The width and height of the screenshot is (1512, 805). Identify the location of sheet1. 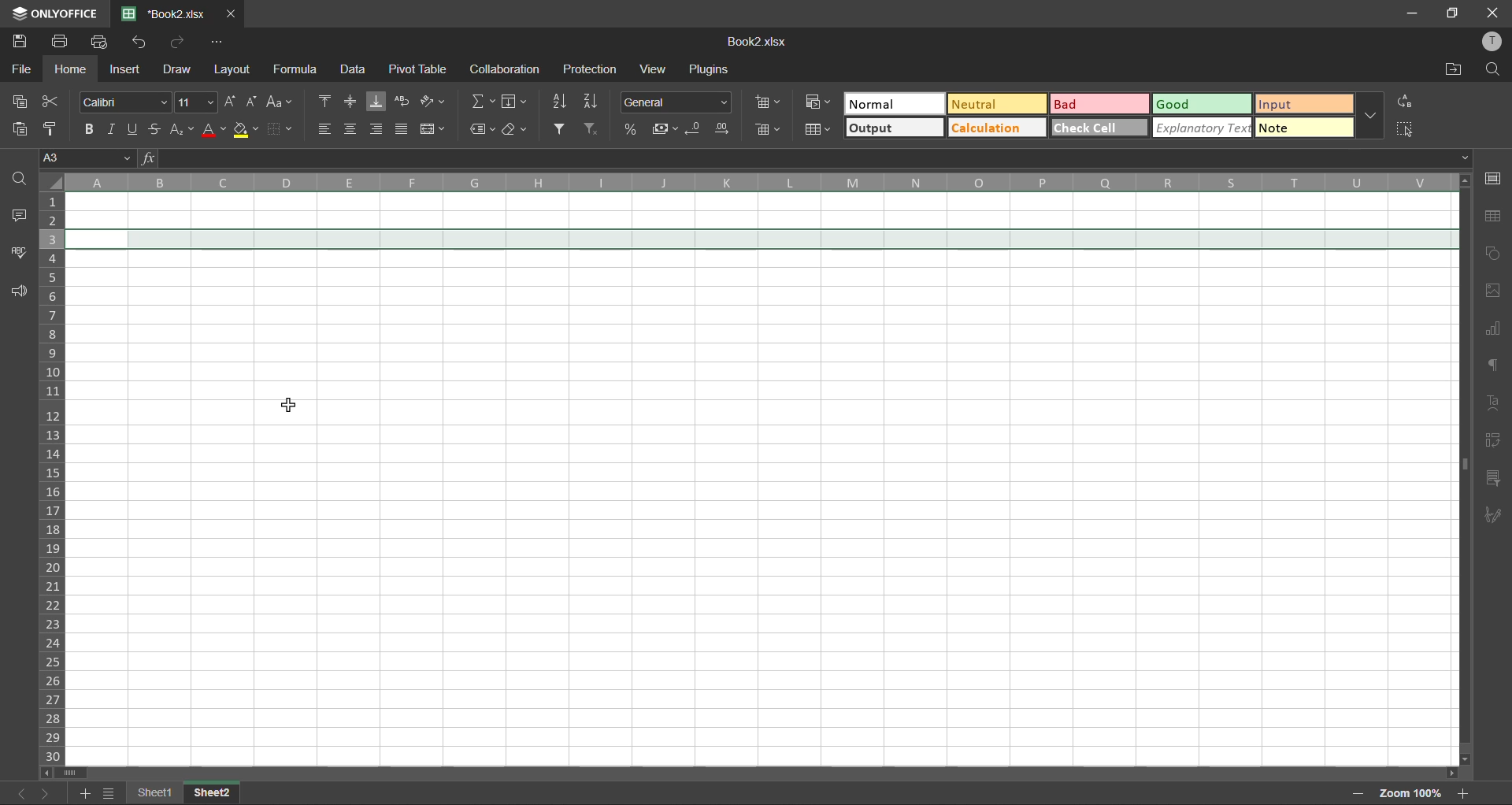
(158, 791).